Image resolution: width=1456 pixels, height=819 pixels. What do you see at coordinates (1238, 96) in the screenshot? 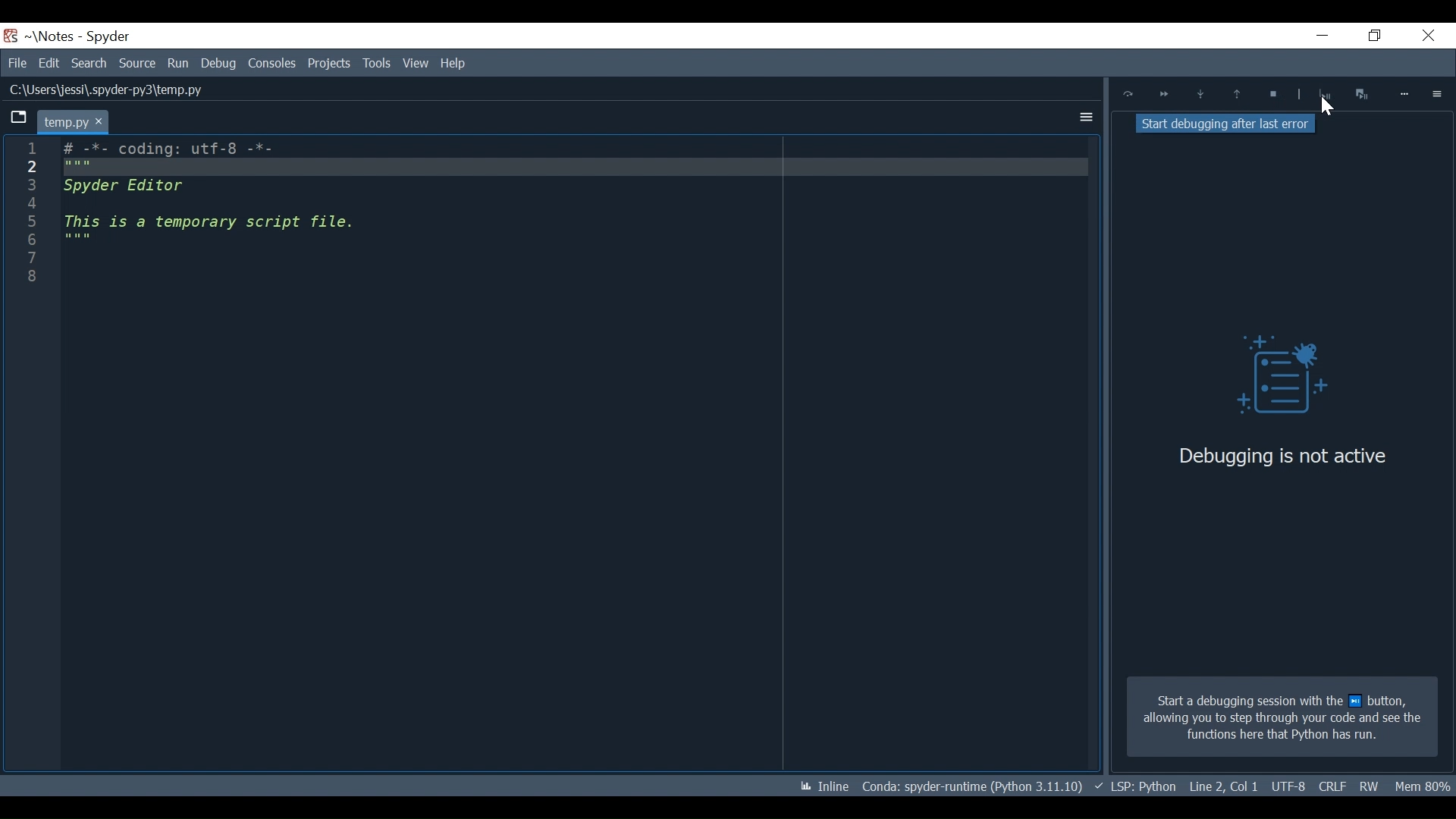
I see `Execute until functions/method returns` at bounding box center [1238, 96].